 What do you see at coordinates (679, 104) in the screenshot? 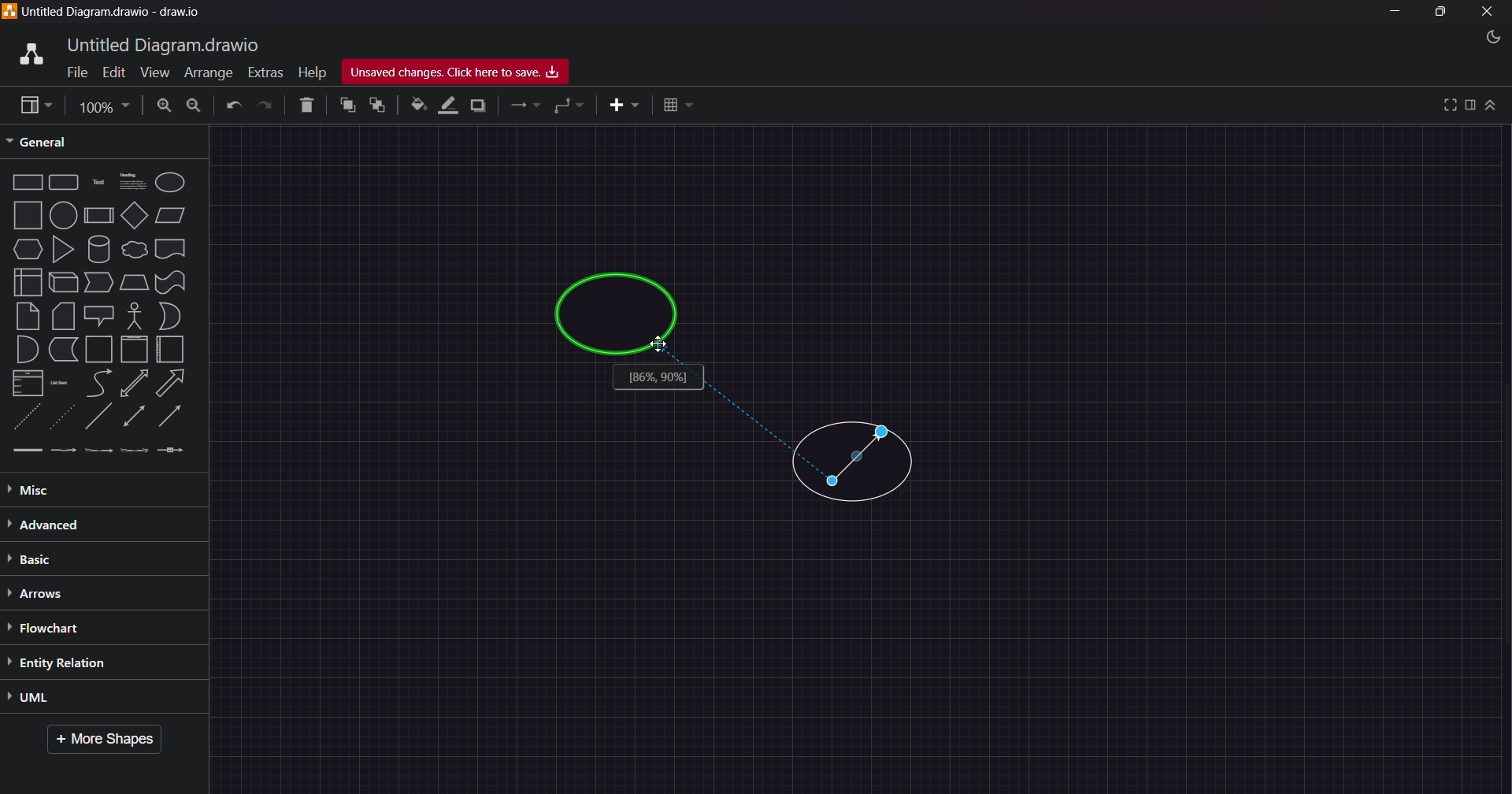
I see `table` at bounding box center [679, 104].